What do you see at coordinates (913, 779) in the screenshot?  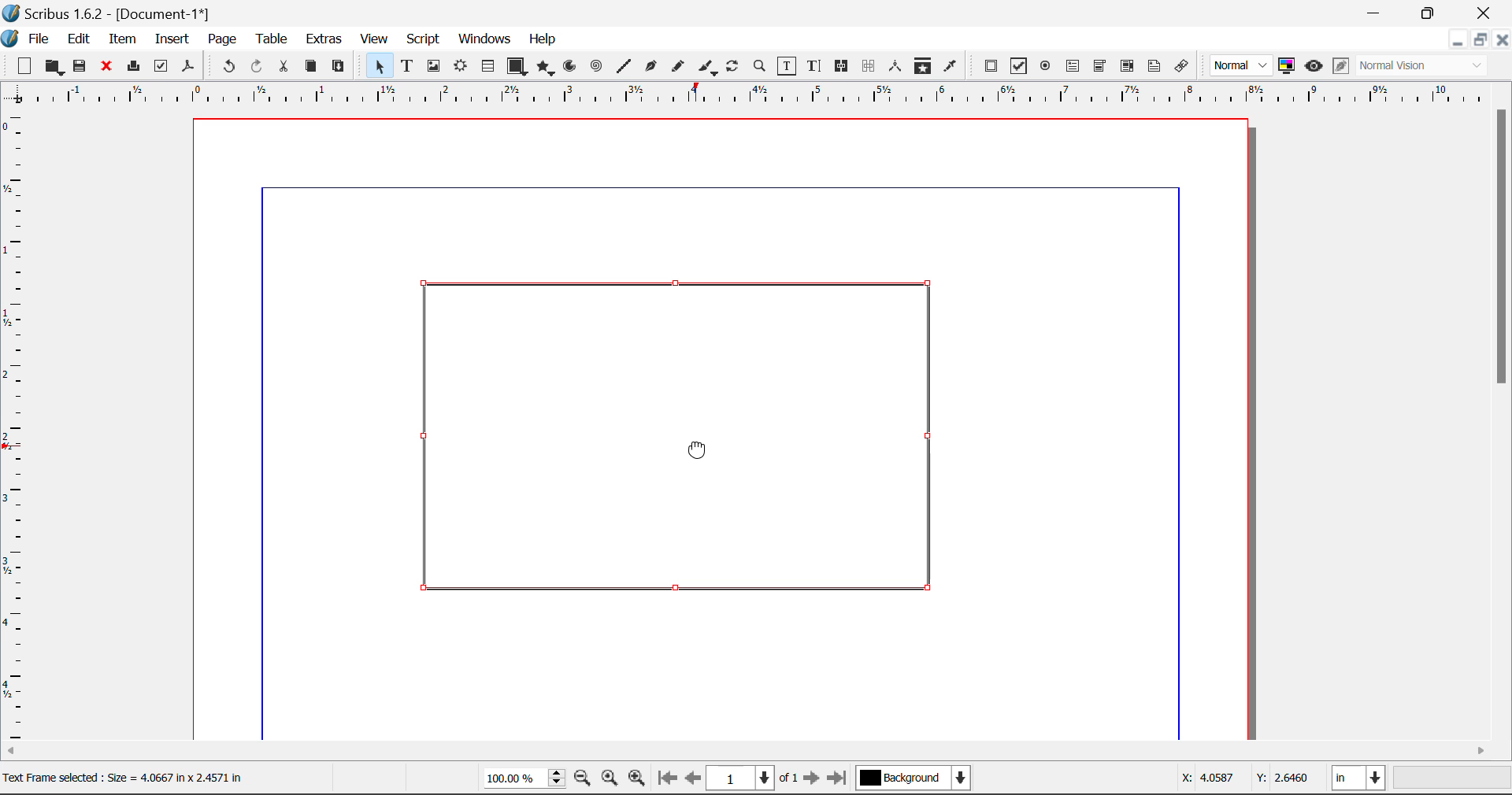 I see `Background` at bounding box center [913, 779].